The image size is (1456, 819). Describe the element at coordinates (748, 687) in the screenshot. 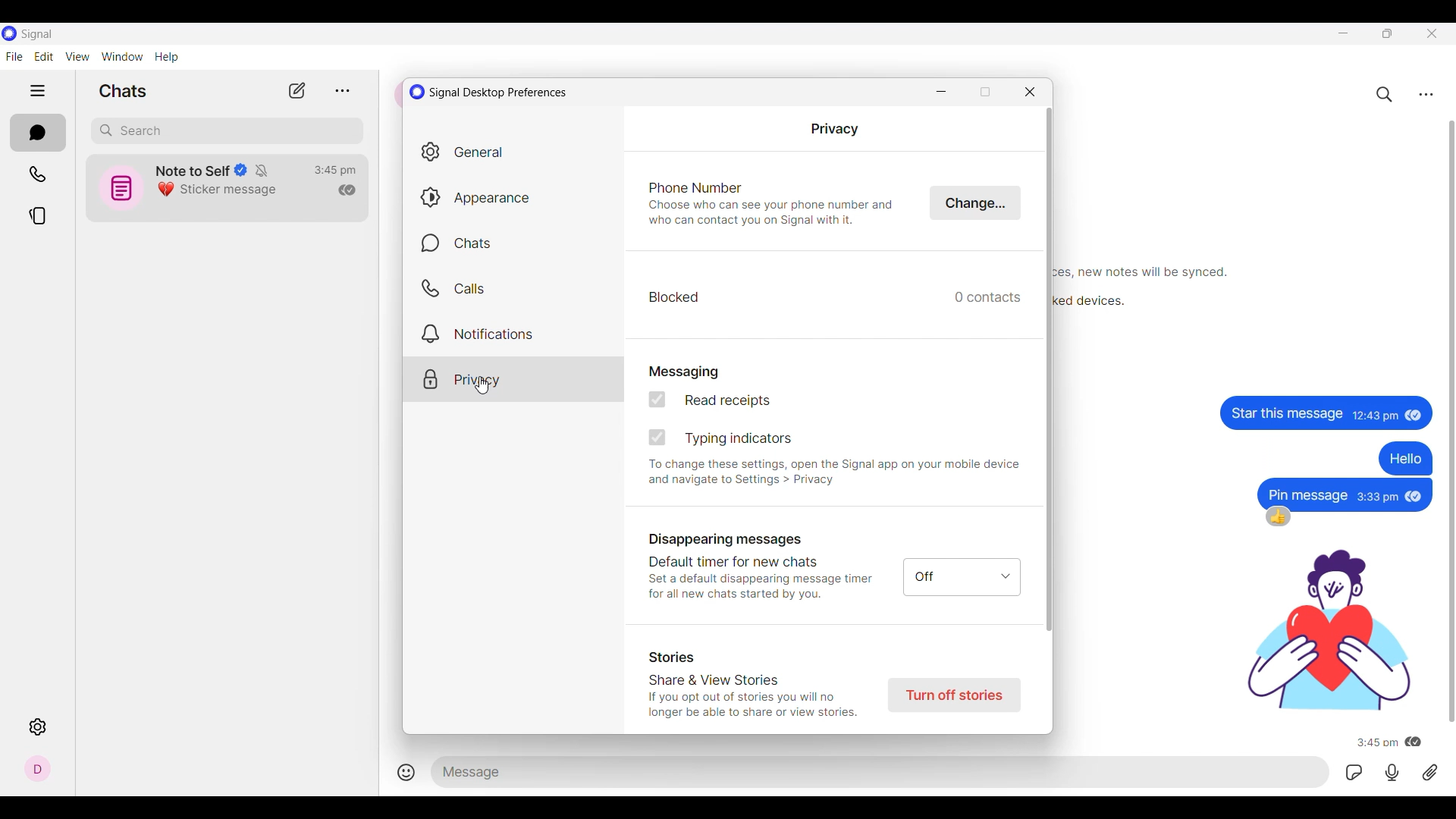

I see `Stories

Share & View Stories

If you opt out of stories you will no
longer be able to share or view stories.` at that location.